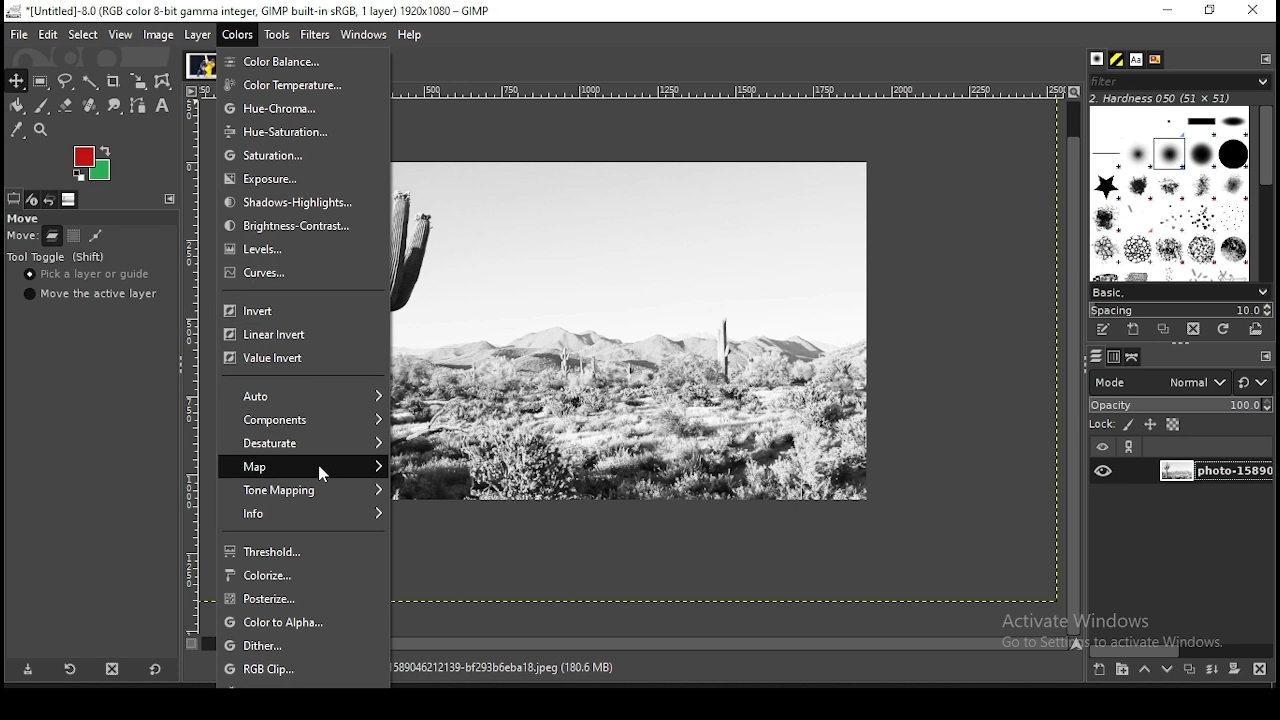  I want to click on minimize, so click(1168, 11).